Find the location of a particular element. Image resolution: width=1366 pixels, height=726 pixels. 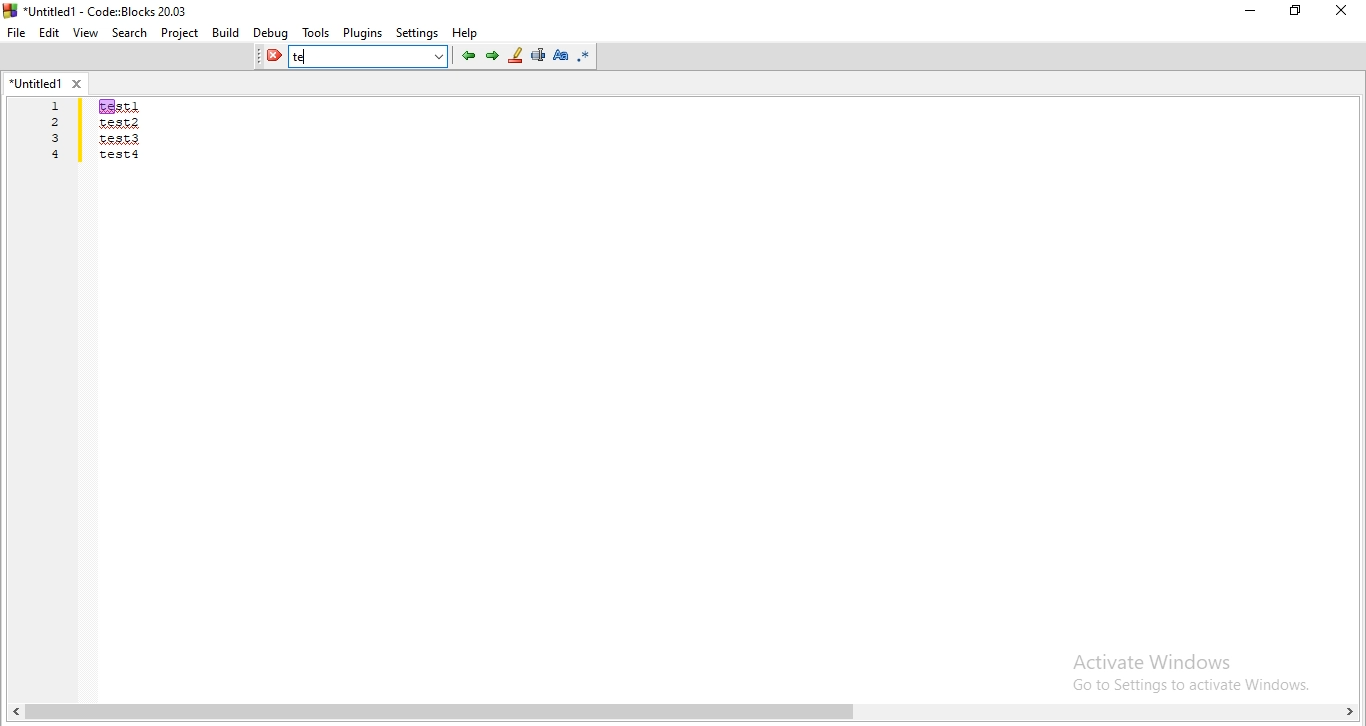

Edit is located at coordinates (49, 33).